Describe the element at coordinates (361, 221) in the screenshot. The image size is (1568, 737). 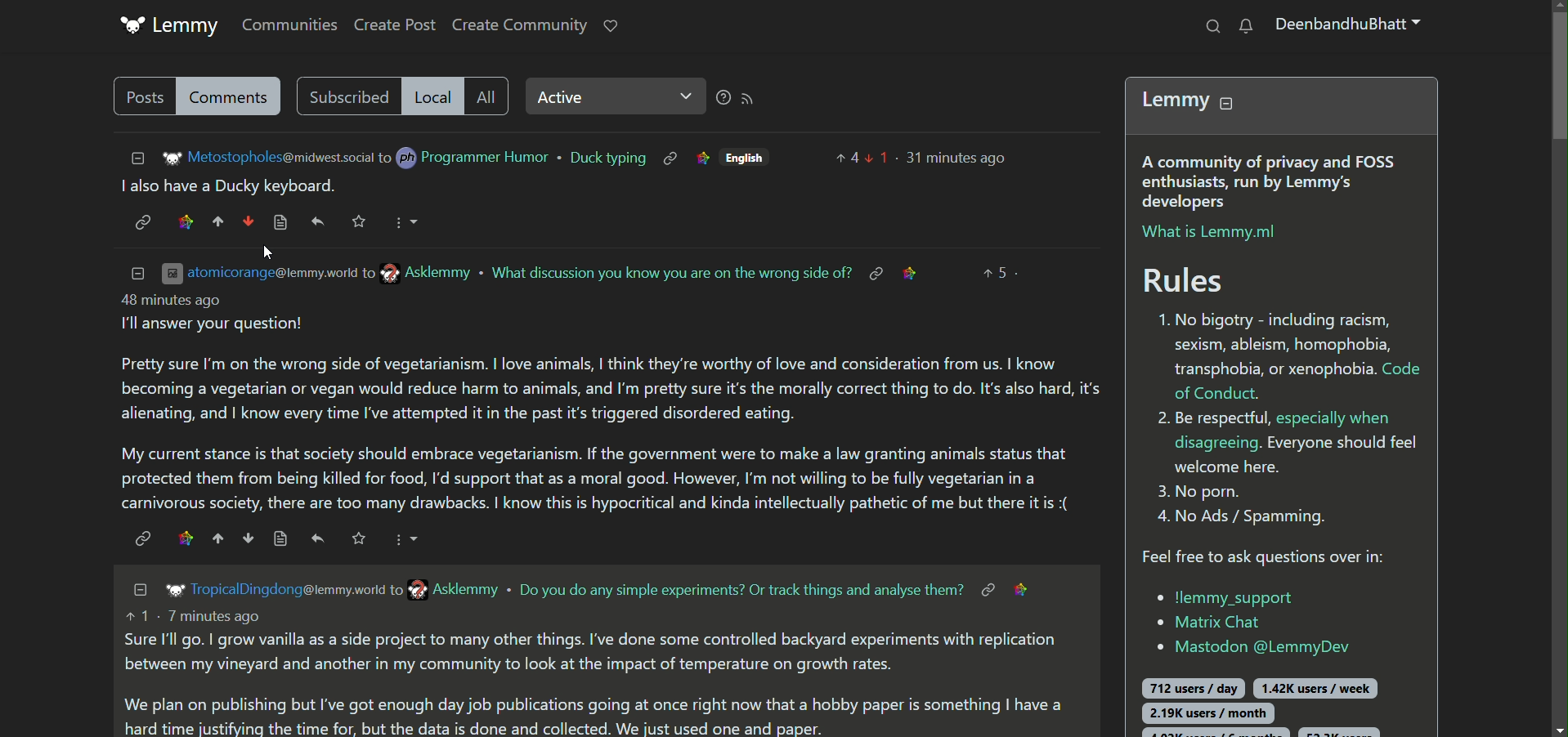
I see `bookmark` at that location.